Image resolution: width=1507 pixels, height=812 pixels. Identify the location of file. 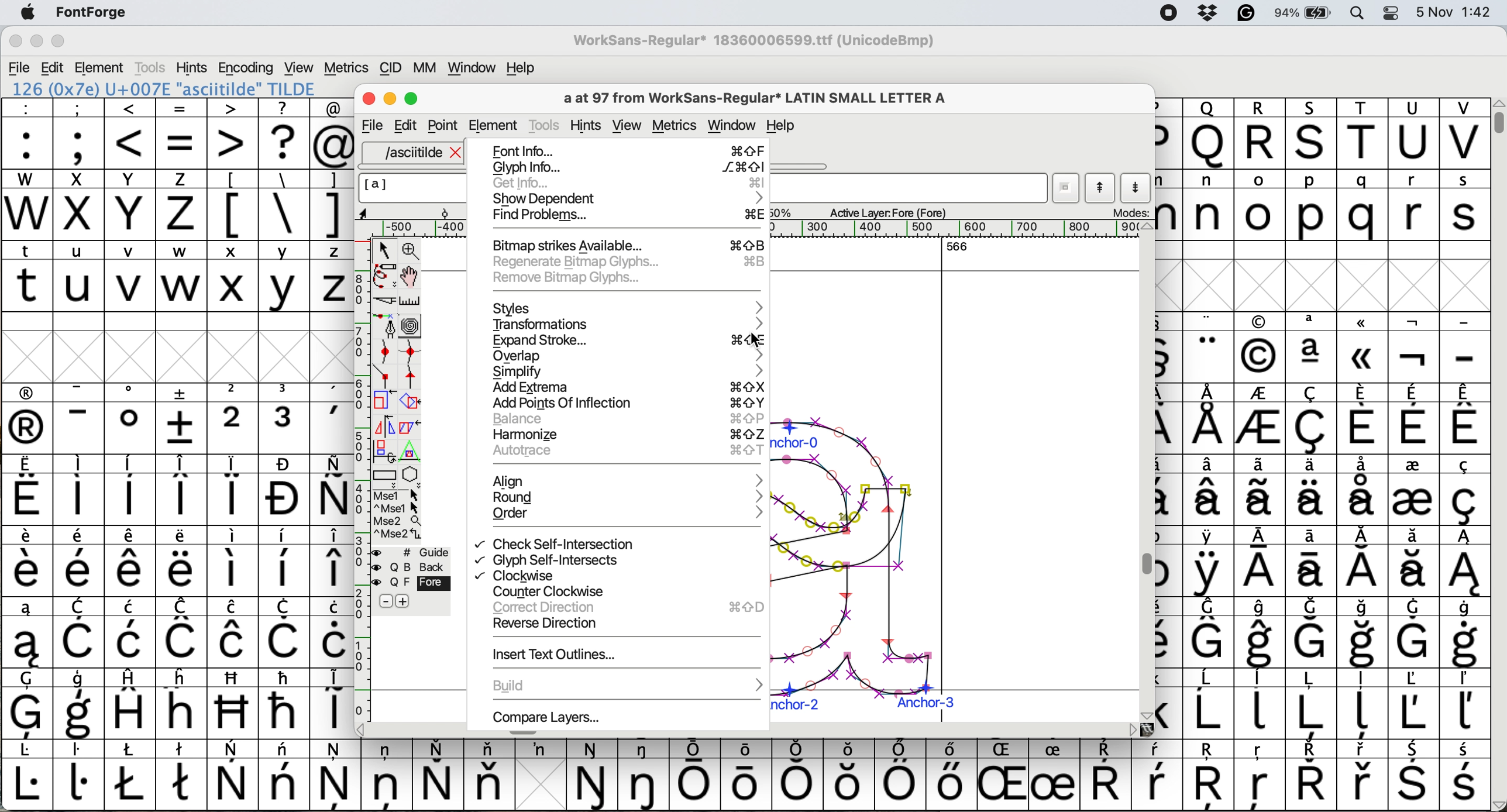
(20, 68).